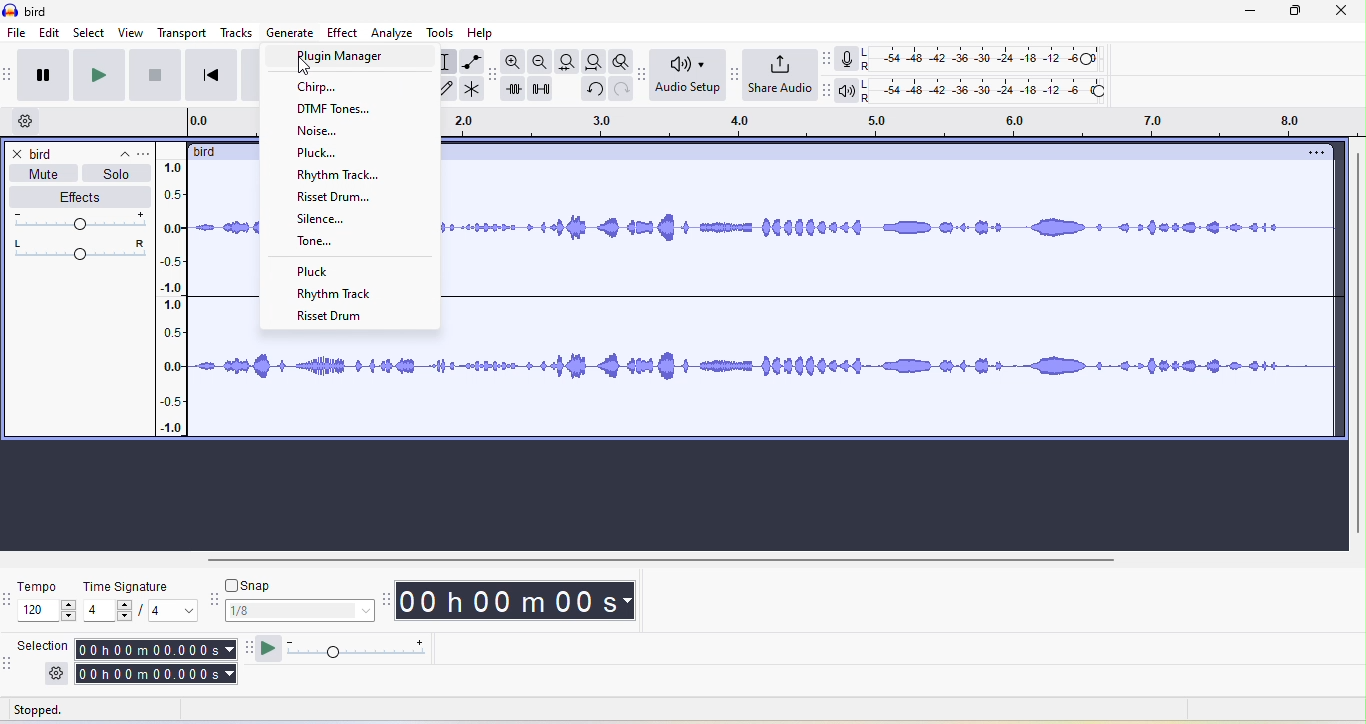 The height and width of the screenshot is (724, 1366). What do you see at coordinates (292, 33) in the screenshot?
I see `generate` at bounding box center [292, 33].